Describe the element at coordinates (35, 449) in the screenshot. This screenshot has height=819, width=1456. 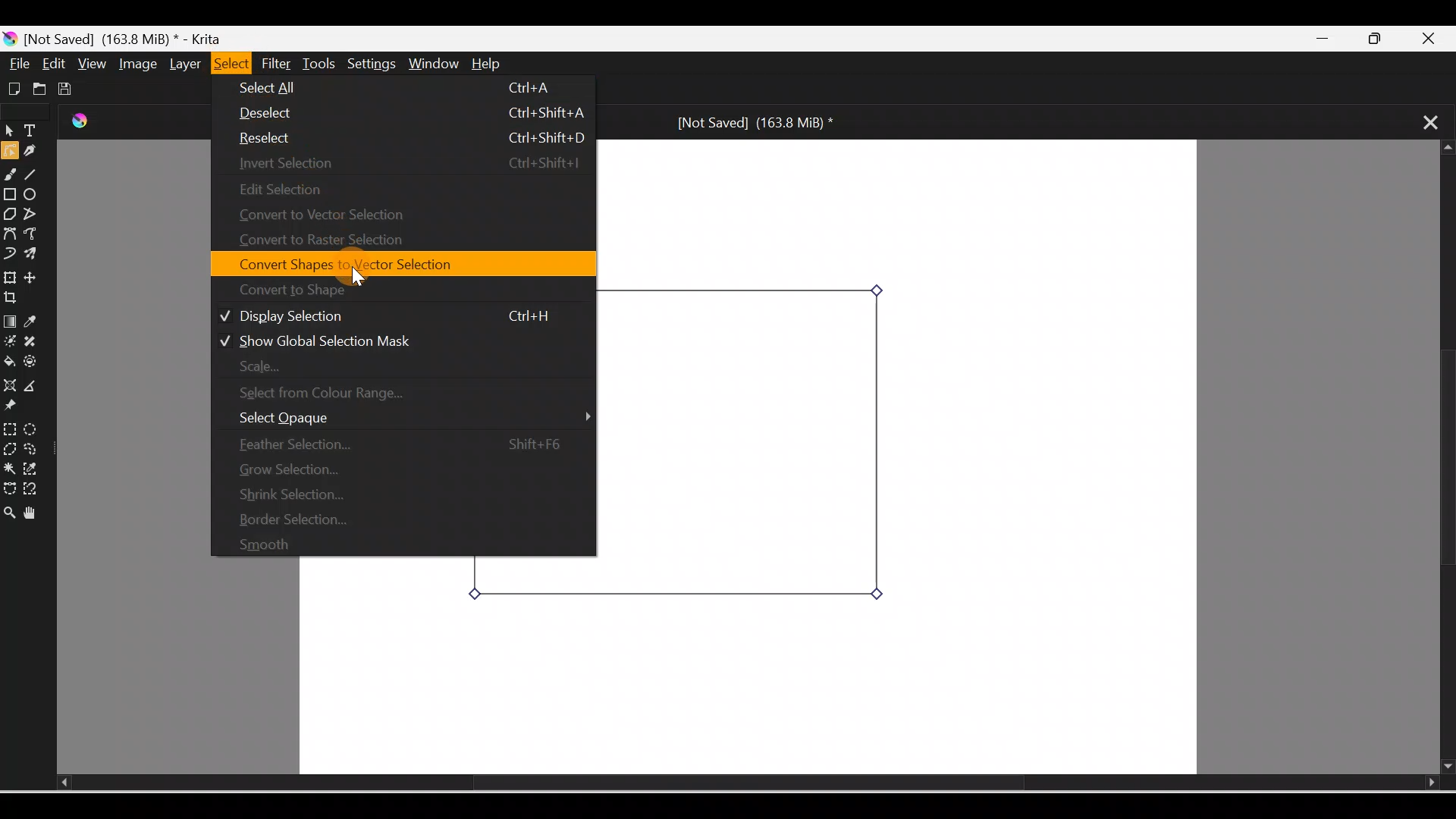
I see `Freehand selection tool` at that location.